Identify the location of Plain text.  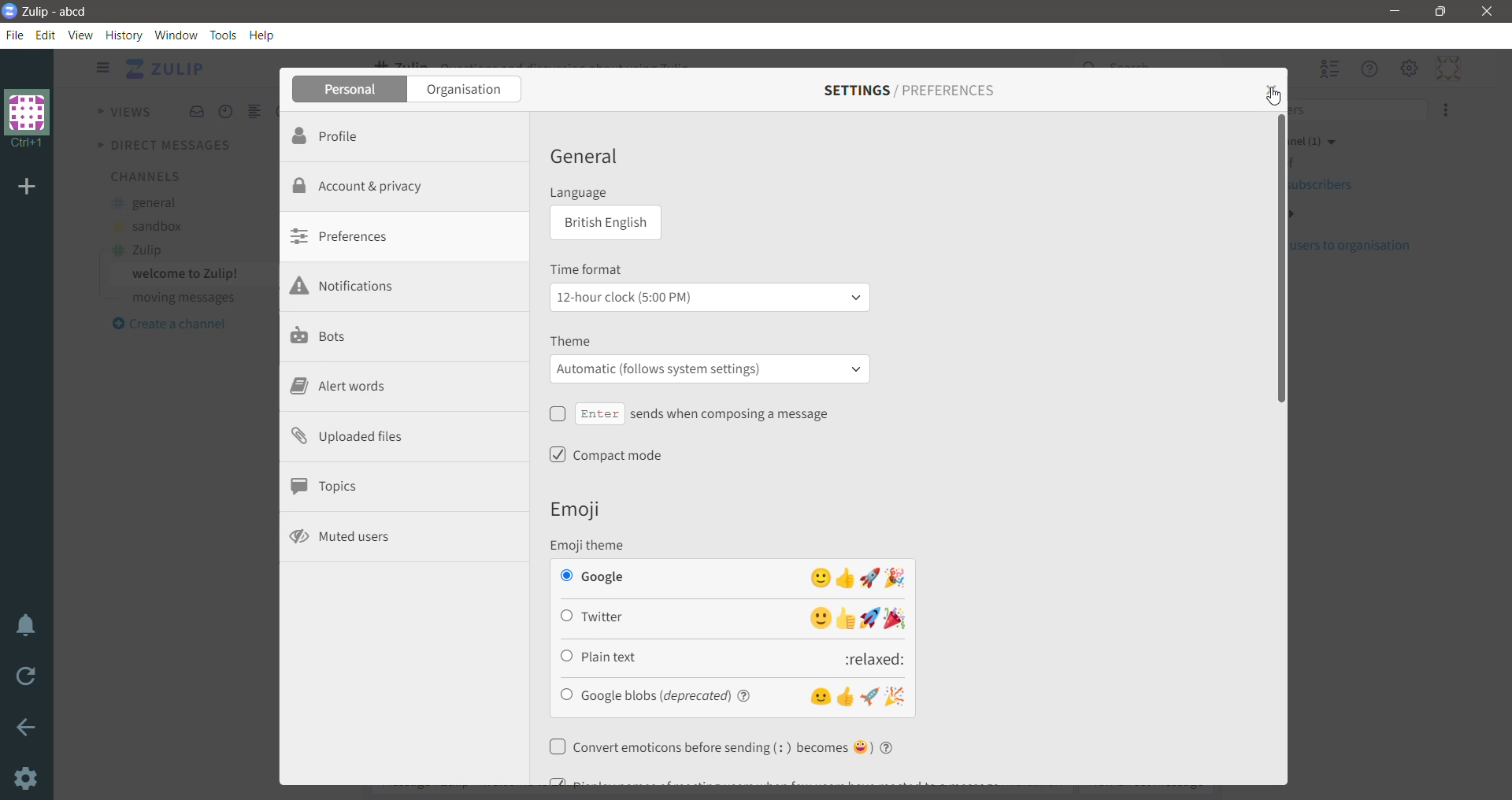
(729, 657).